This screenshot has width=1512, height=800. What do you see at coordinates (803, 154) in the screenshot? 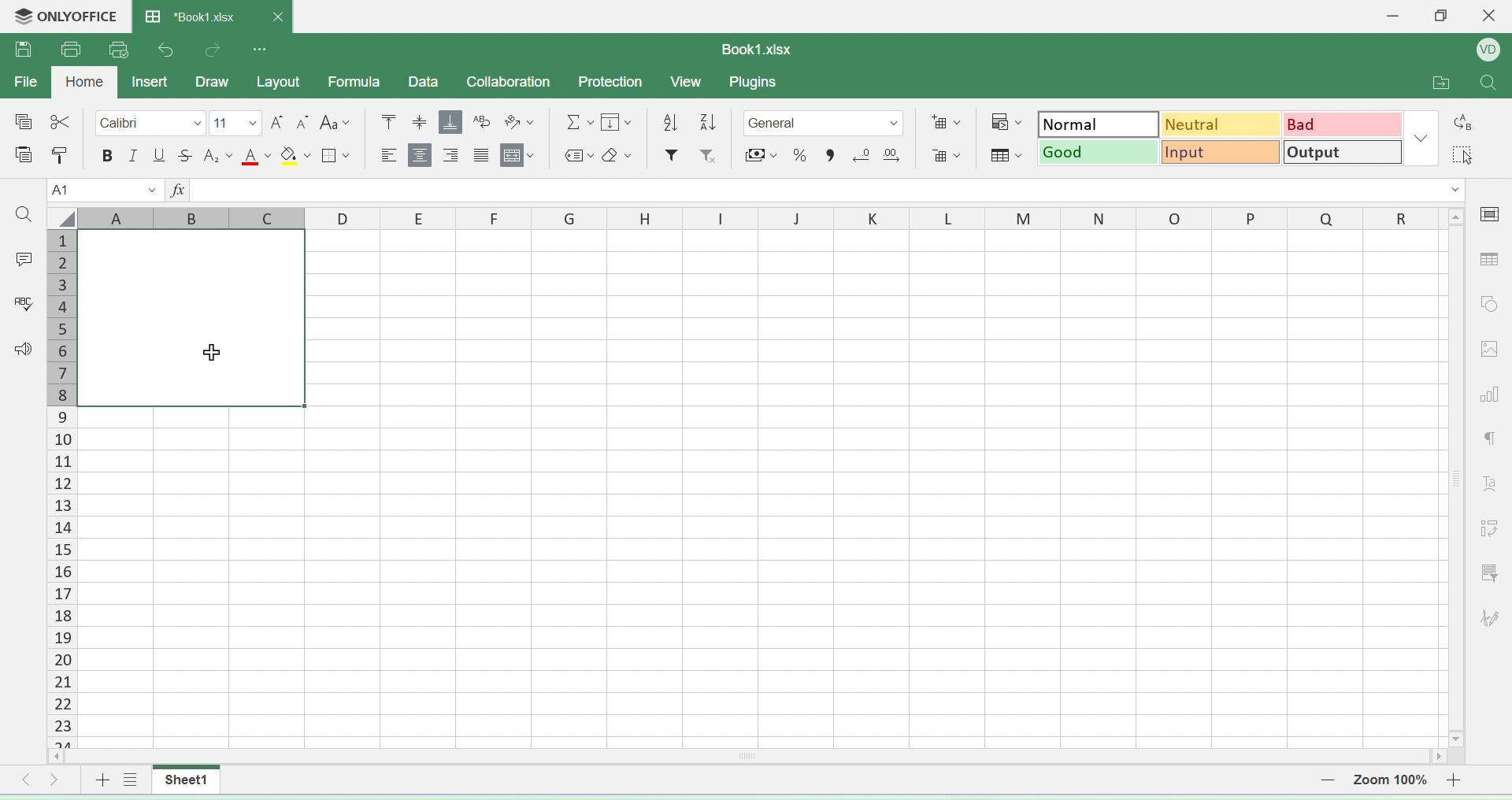
I see `percent` at bounding box center [803, 154].